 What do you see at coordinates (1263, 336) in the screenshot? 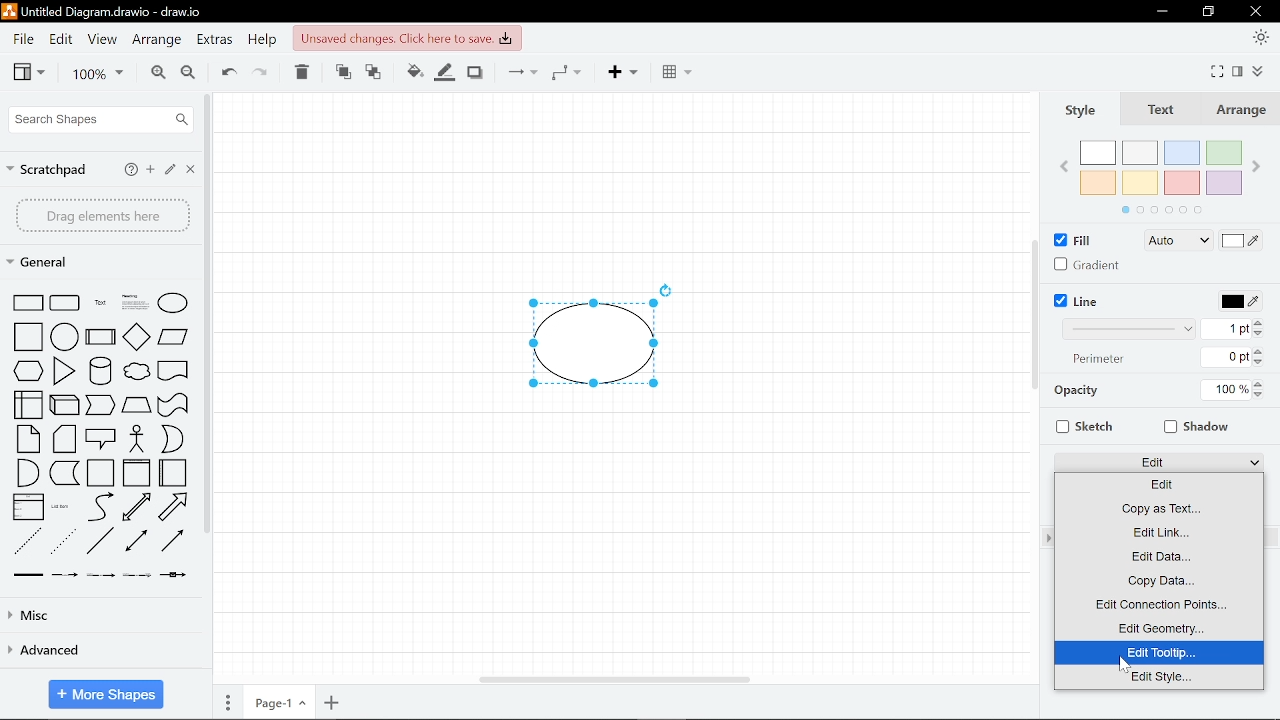
I see `Decrease line width` at bounding box center [1263, 336].